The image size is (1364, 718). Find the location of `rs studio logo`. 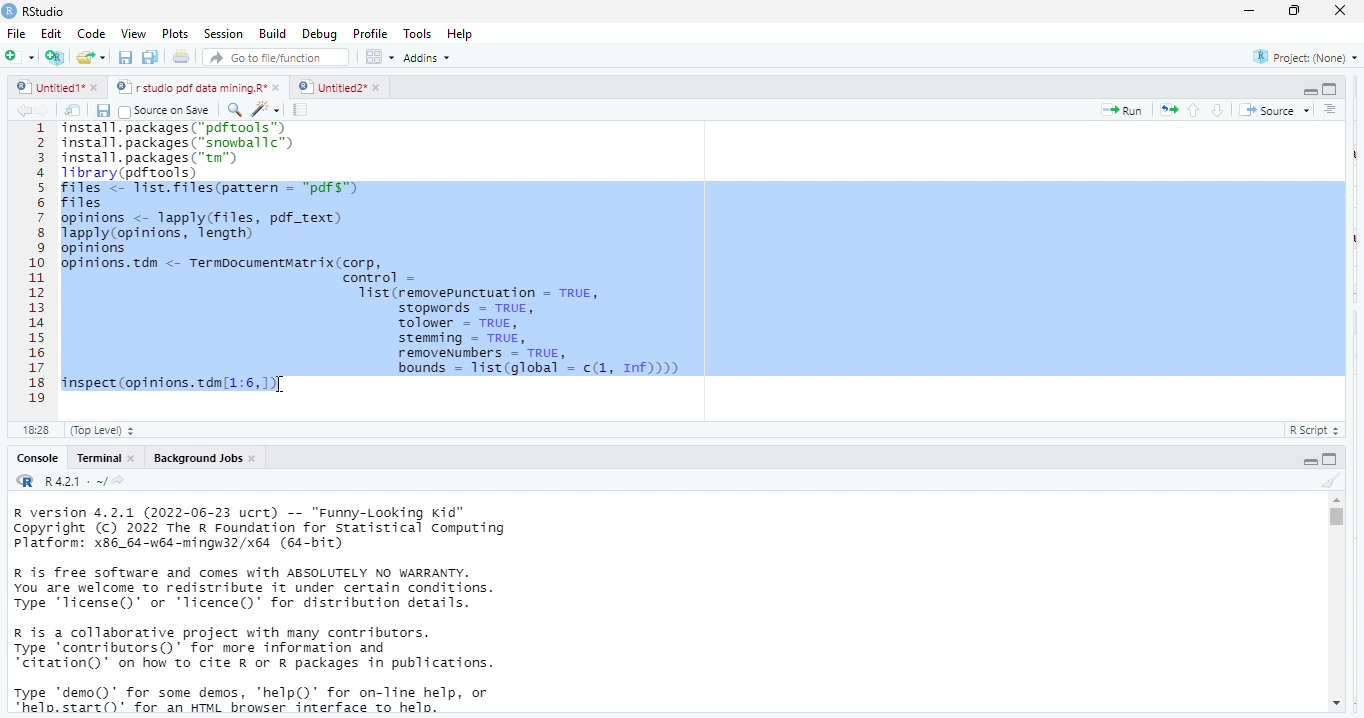

rs studio logo is located at coordinates (9, 10).